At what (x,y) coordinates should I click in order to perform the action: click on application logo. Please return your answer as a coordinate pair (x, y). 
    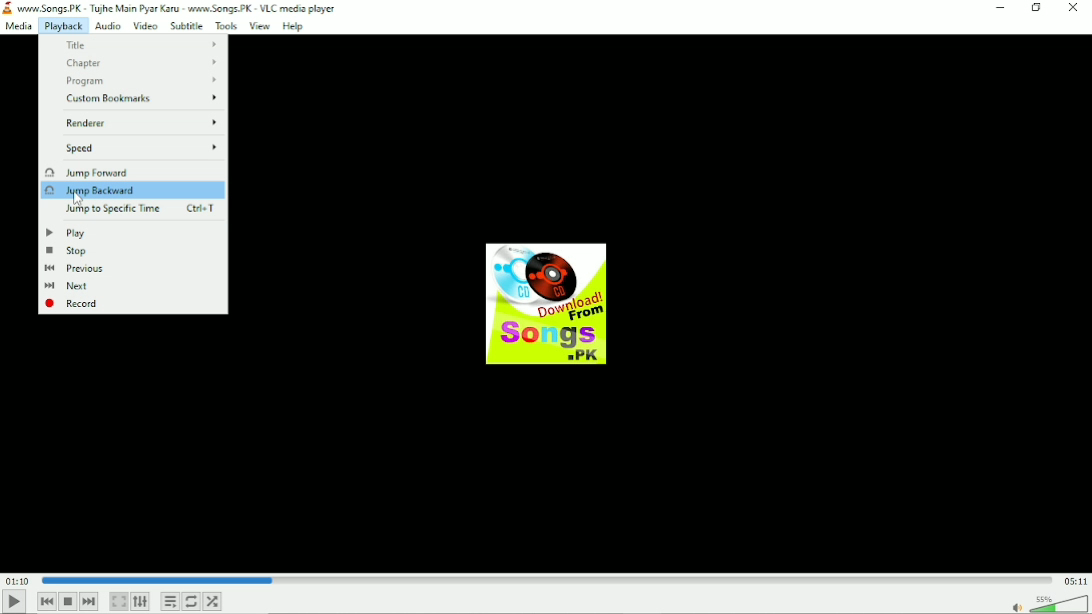
    Looking at the image, I should click on (7, 8).